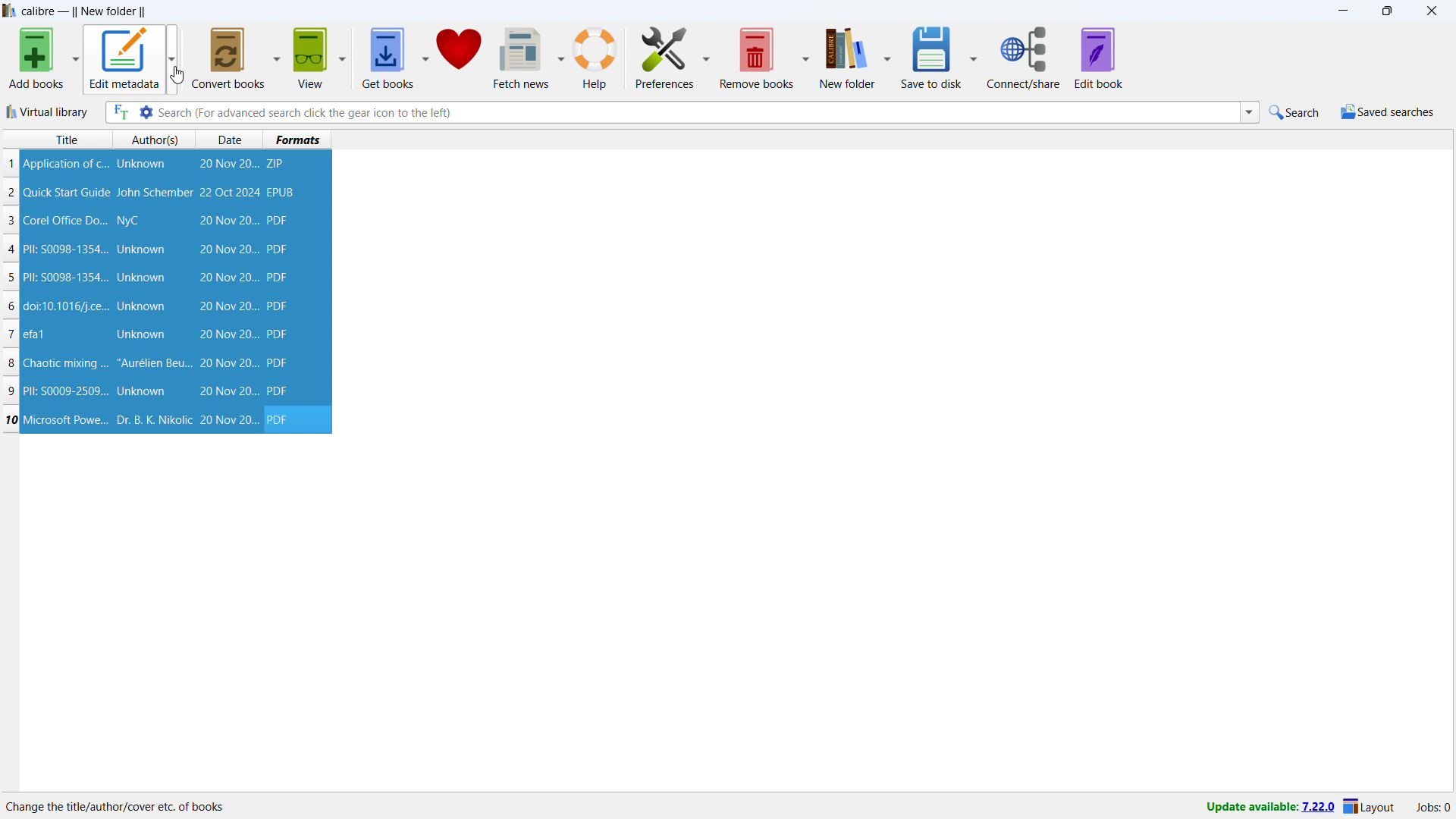 This screenshot has height=819, width=1456. What do you see at coordinates (227, 306) in the screenshot?
I see `20 Nov 20...` at bounding box center [227, 306].